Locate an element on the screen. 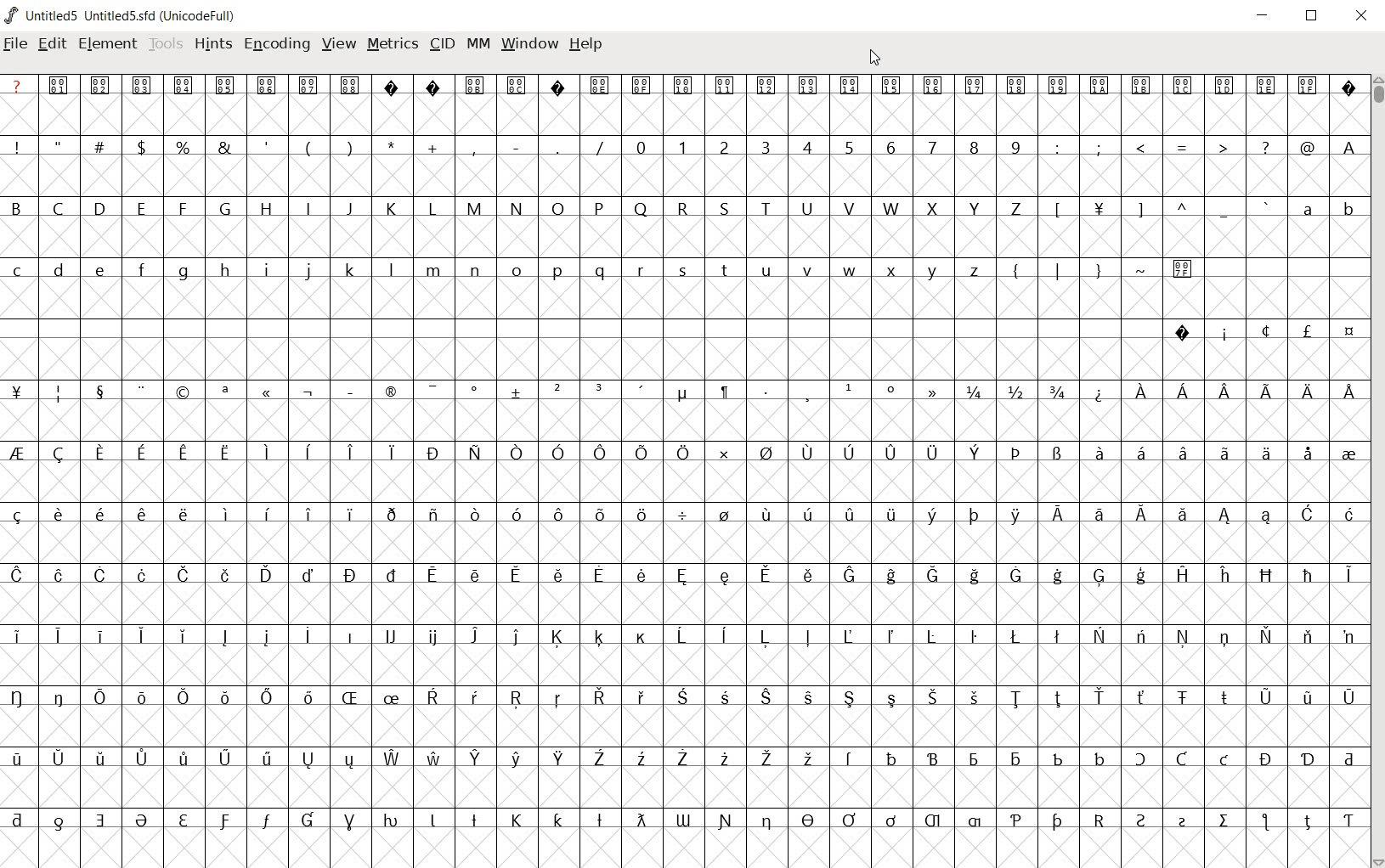 Image resolution: width=1385 pixels, height=868 pixels. Symbol is located at coordinates (99, 513).